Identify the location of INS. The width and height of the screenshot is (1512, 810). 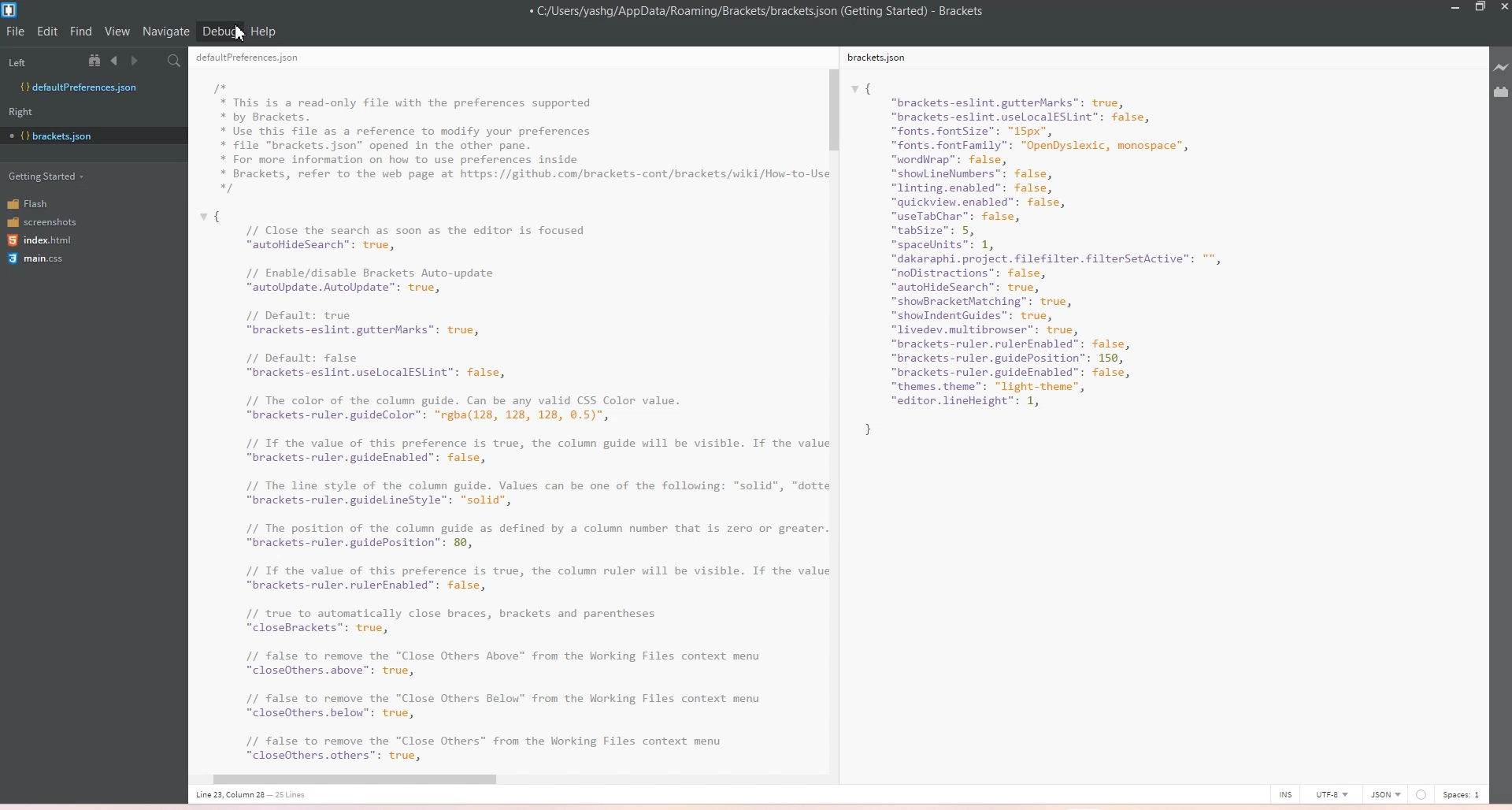
(1285, 793).